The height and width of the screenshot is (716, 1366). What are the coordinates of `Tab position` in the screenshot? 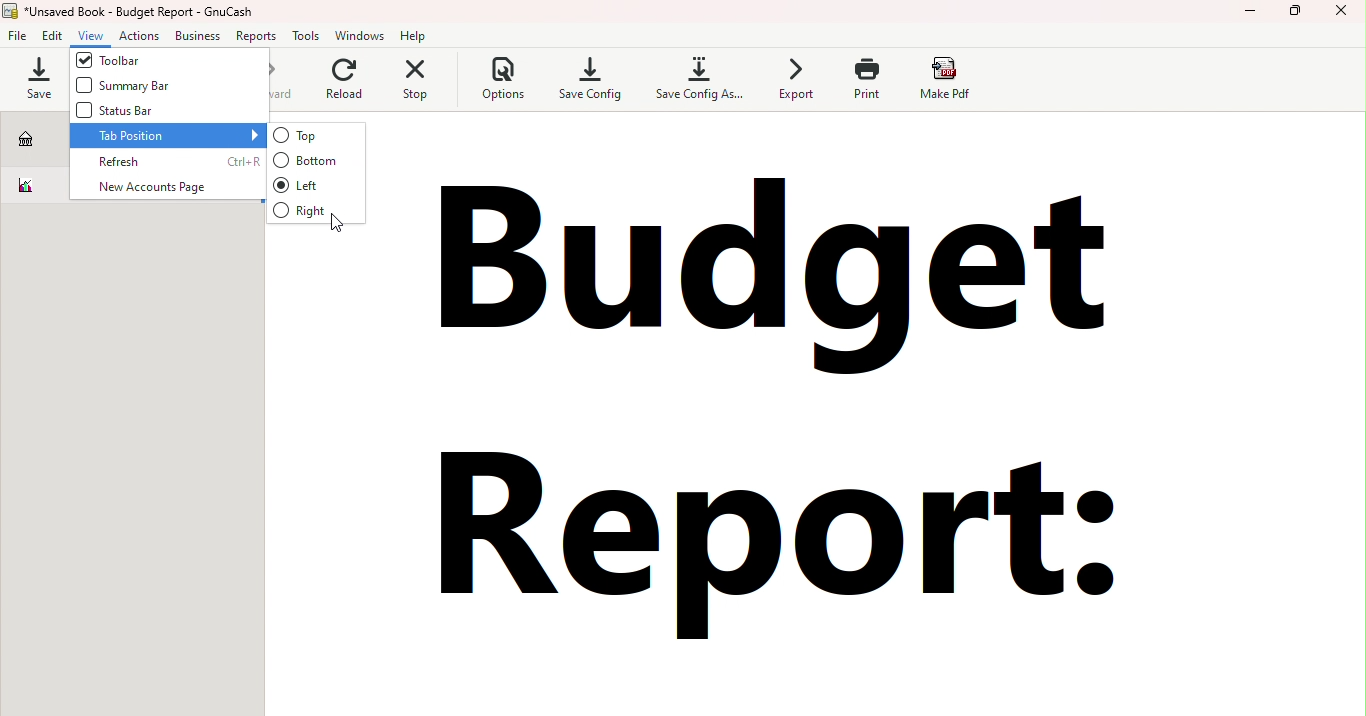 It's located at (166, 136).